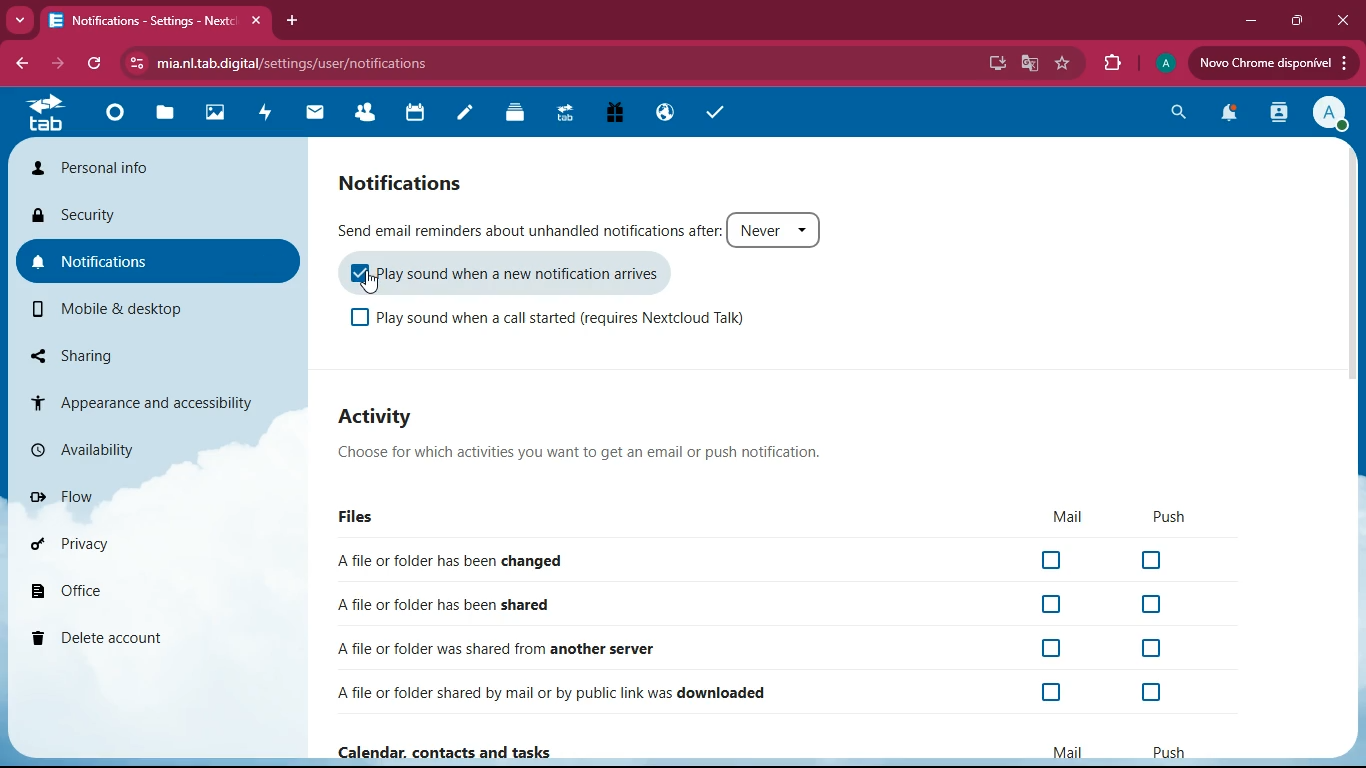 This screenshot has height=768, width=1366. I want to click on Calendar, contacts and tasks, so click(463, 752).